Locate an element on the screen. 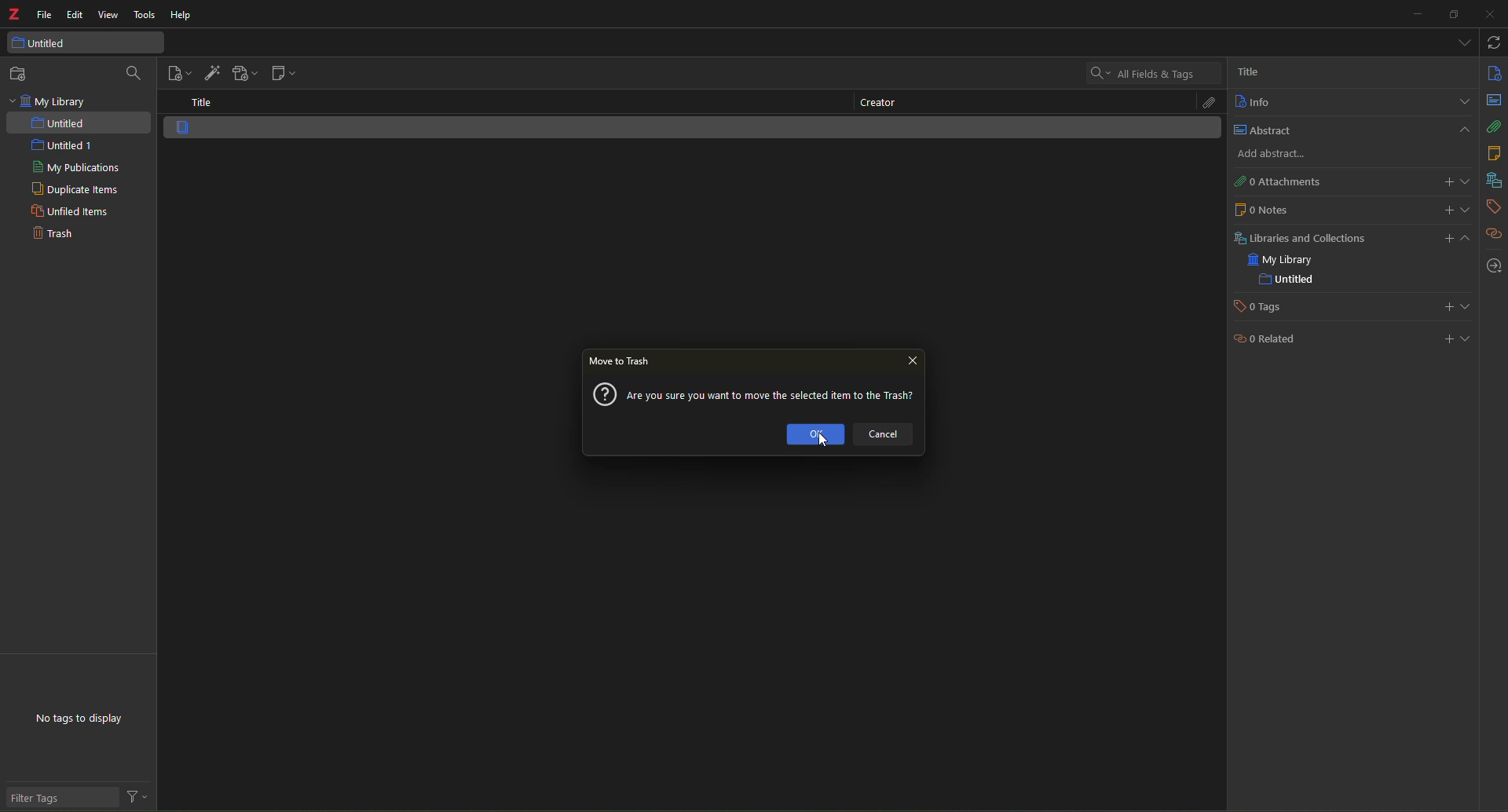 Image resolution: width=1508 pixels, height=812 pixels. creator is located at coordinates (876, 104).